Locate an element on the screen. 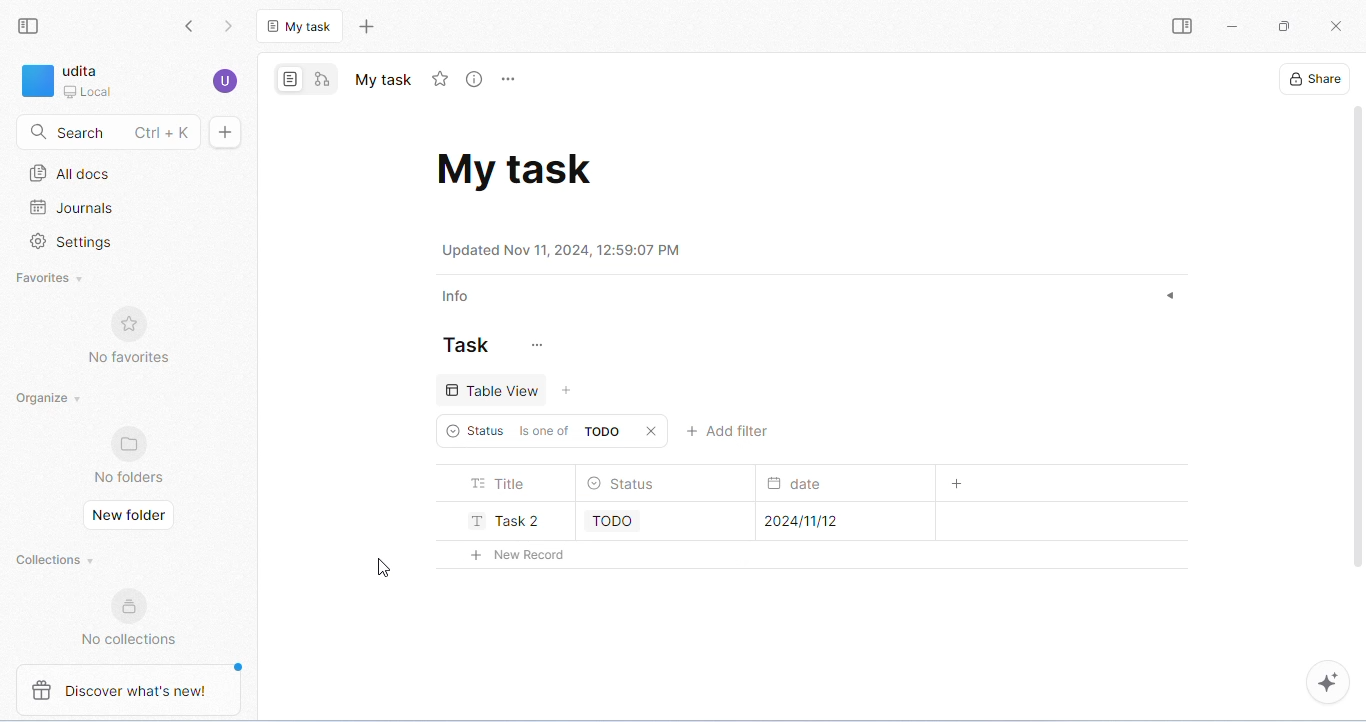  share is located at coordinates (1312, 78).